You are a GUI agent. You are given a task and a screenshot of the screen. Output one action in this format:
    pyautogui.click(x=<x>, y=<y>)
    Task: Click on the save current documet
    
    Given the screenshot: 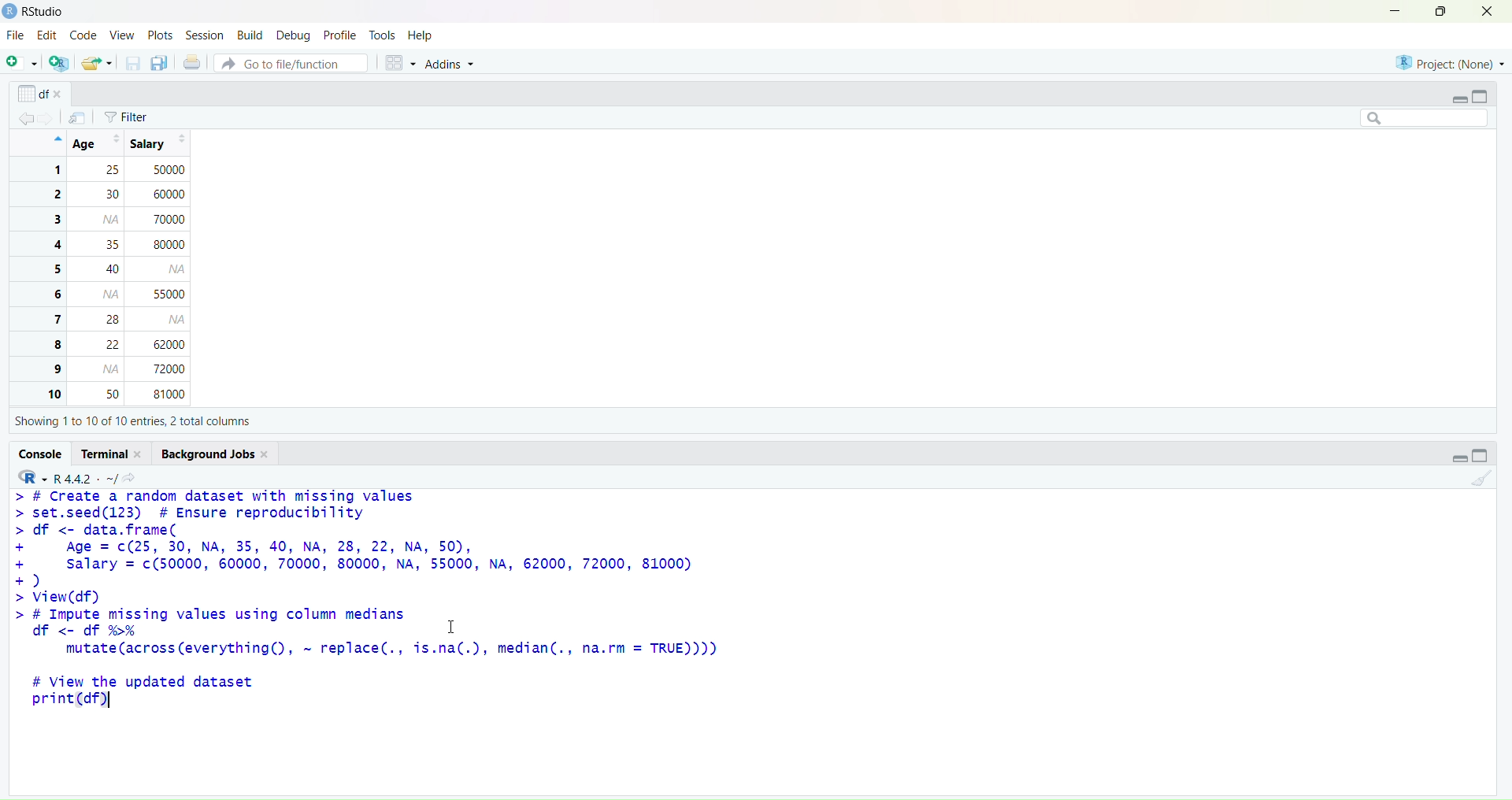 What is the action you would take?
    pyautogui.click(x=132, y=64)
    